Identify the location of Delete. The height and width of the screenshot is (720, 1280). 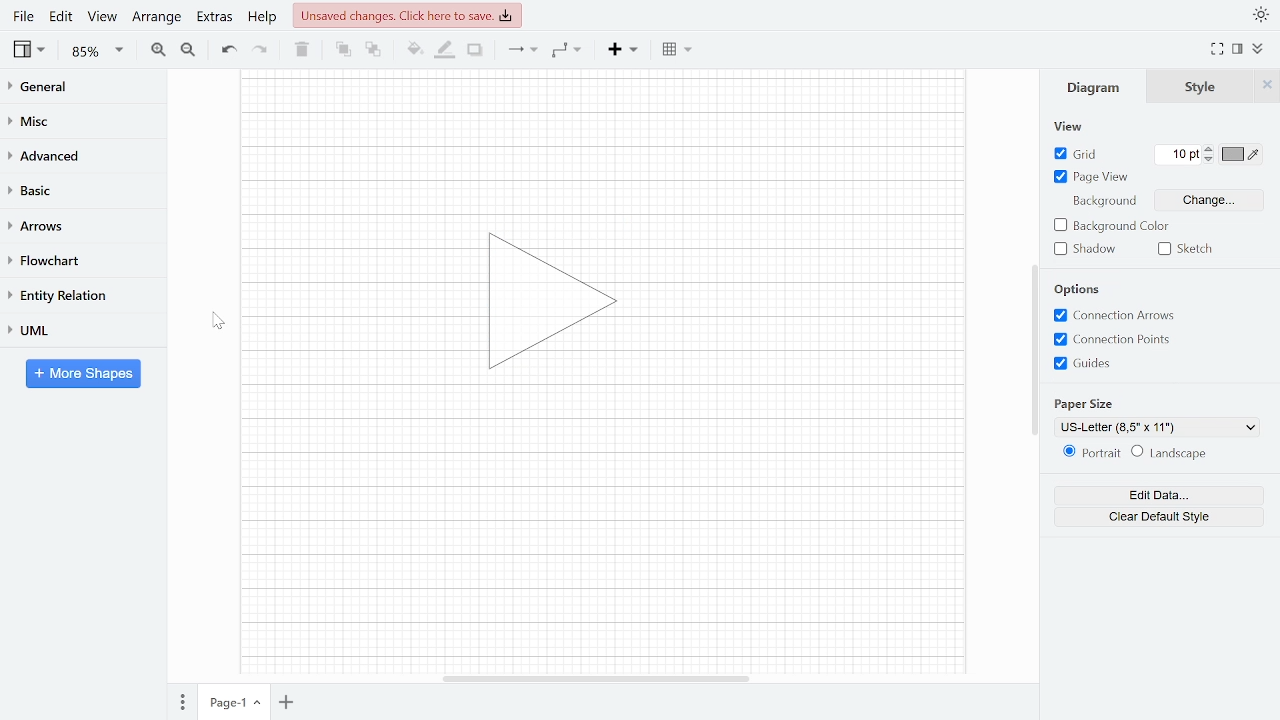
(300, 49).